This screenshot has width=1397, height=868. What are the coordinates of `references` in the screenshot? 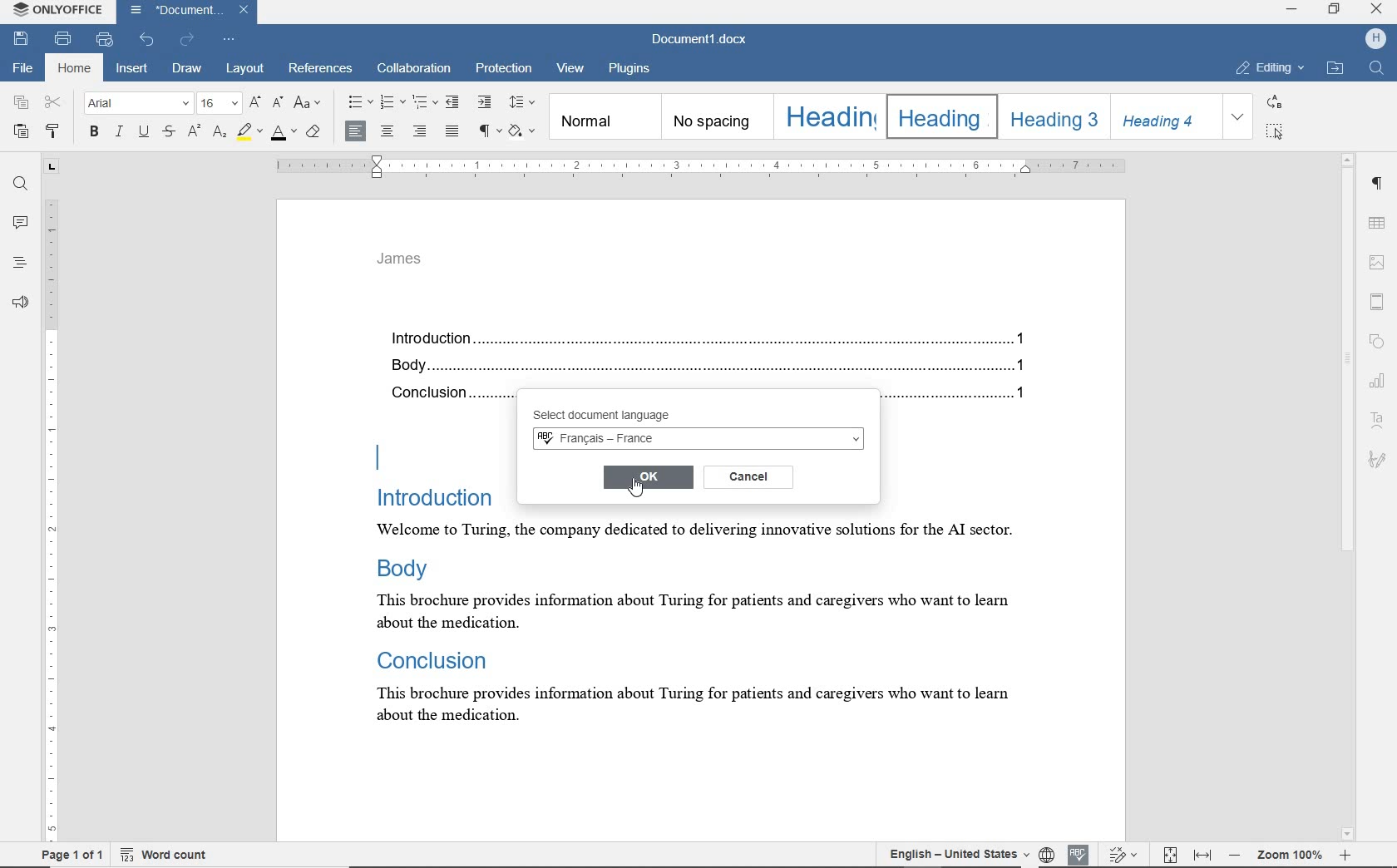 It's located at (322, 71).